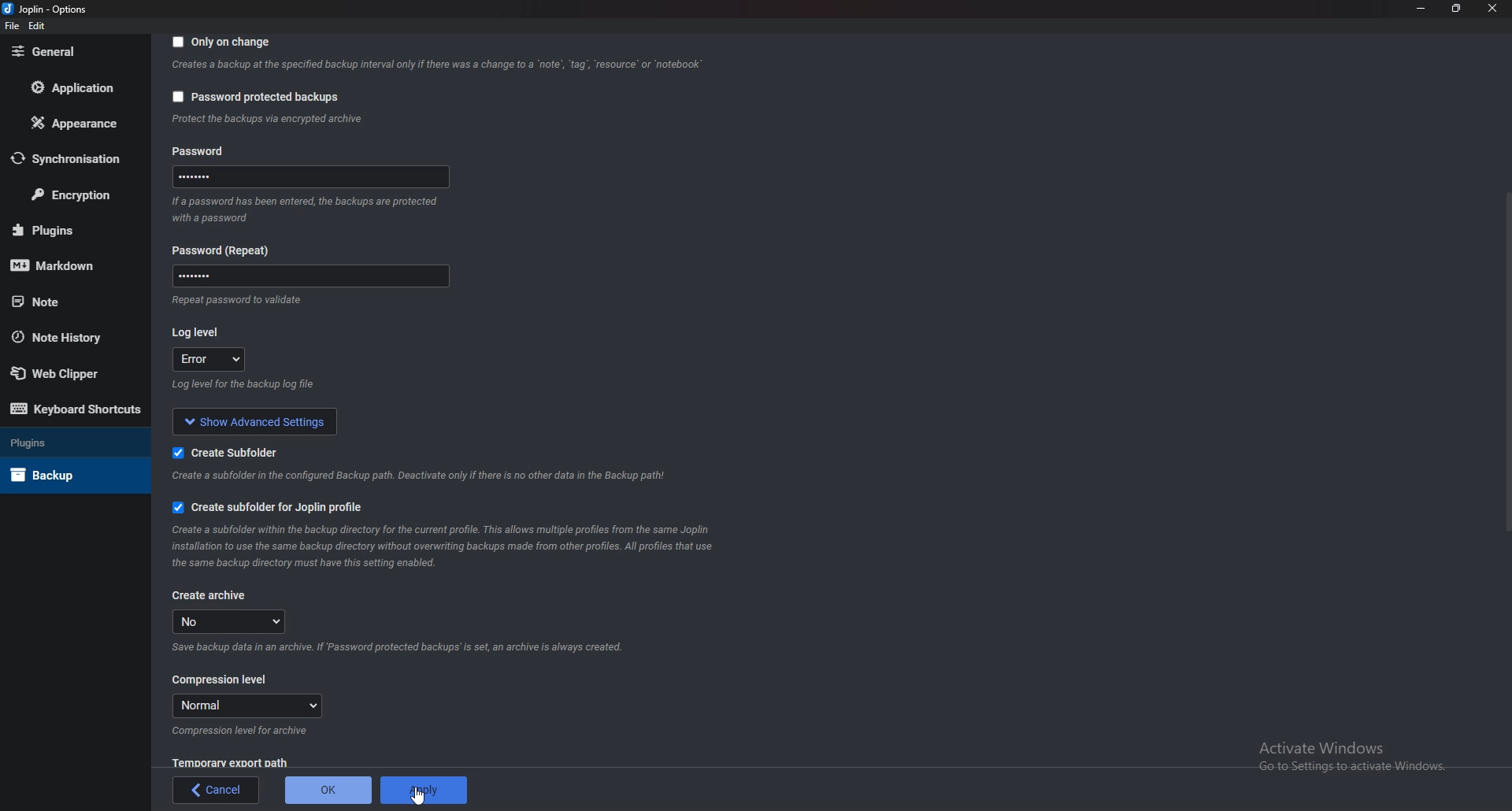  Describe the element at coordinates (71, 157) in the screenshot. I see `Synchronization` at that location.